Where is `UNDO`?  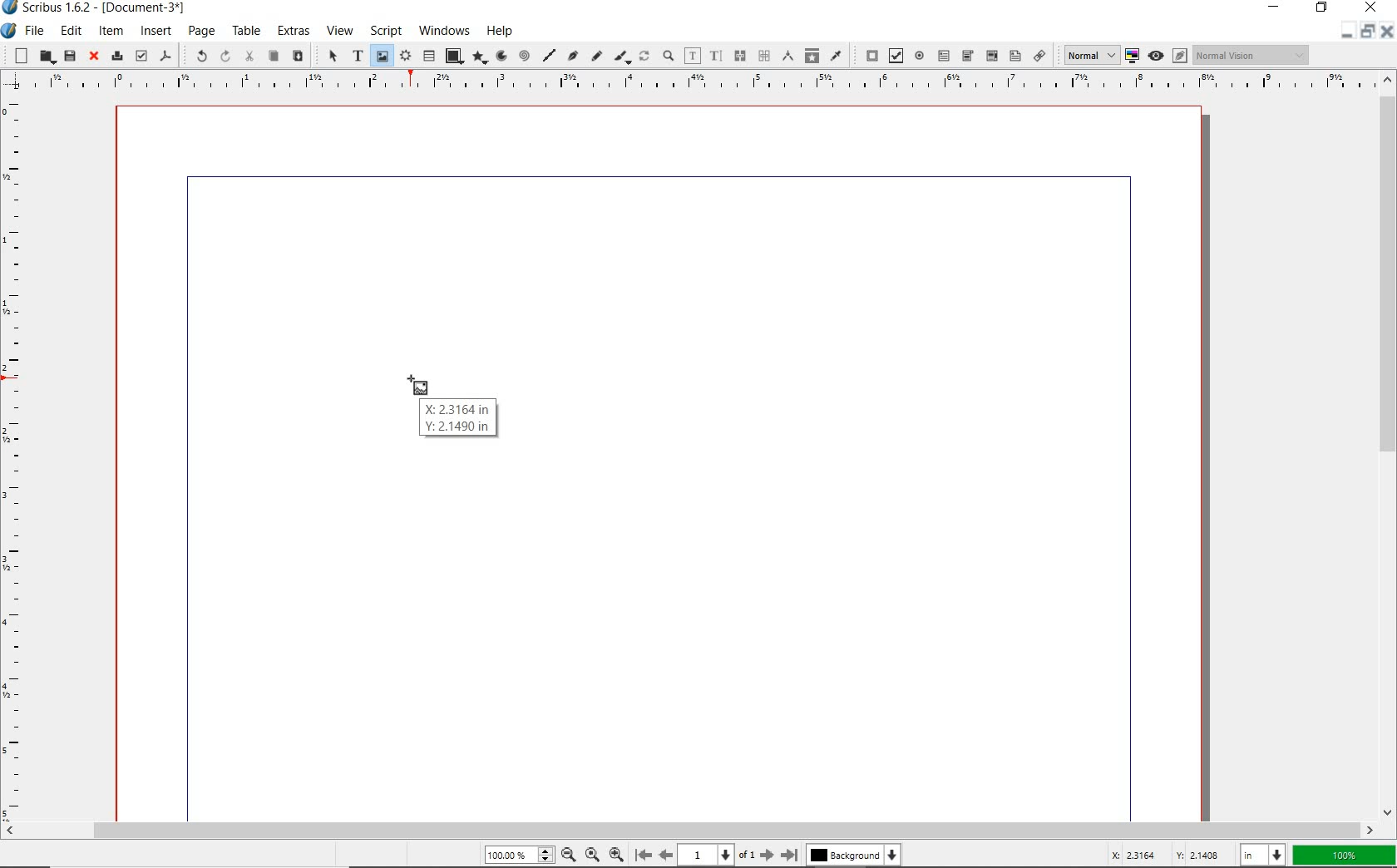 UNDO is located at coordinates (199, 55).